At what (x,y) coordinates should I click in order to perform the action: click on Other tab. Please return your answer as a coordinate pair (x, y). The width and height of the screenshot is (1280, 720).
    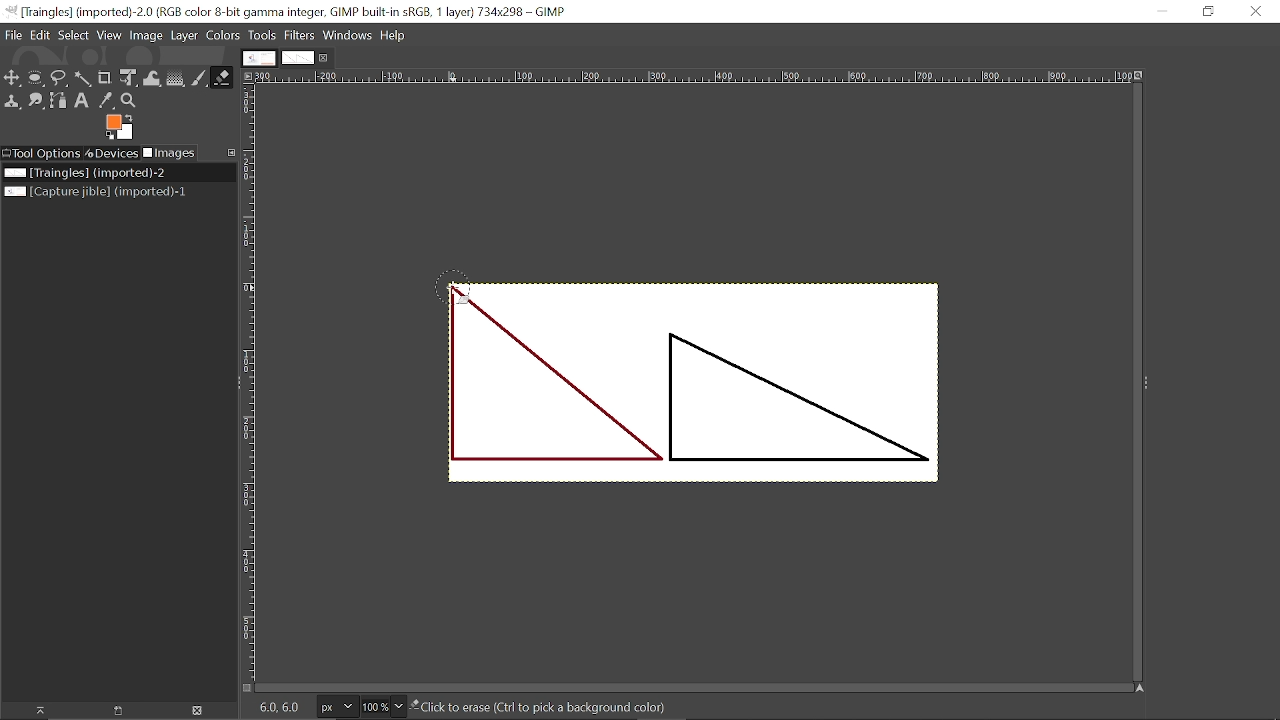
    Looking at the image, I should click on (259, 58).